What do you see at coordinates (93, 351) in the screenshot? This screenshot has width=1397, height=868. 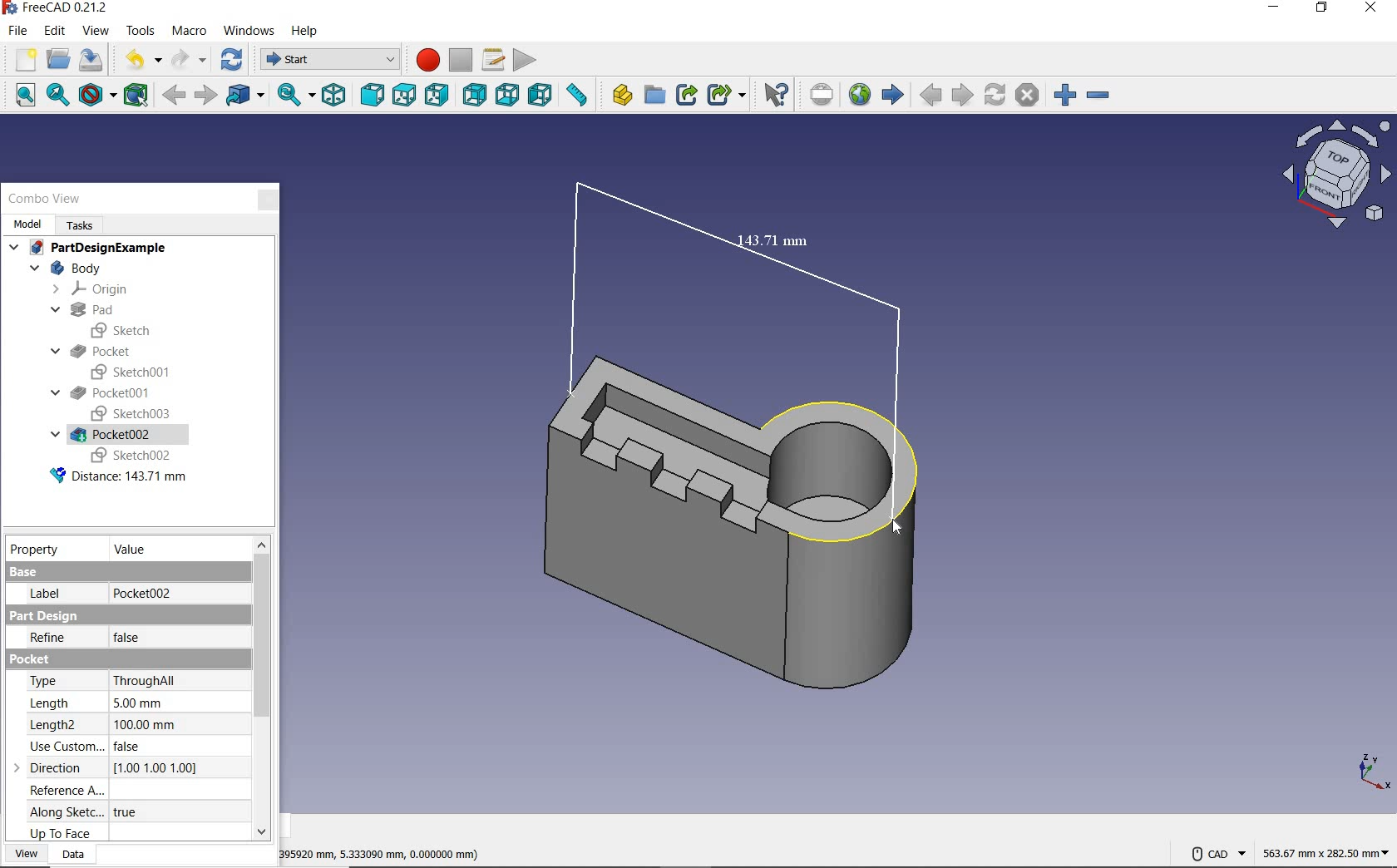 I see `POCKET` at bounding box center [93, 351].